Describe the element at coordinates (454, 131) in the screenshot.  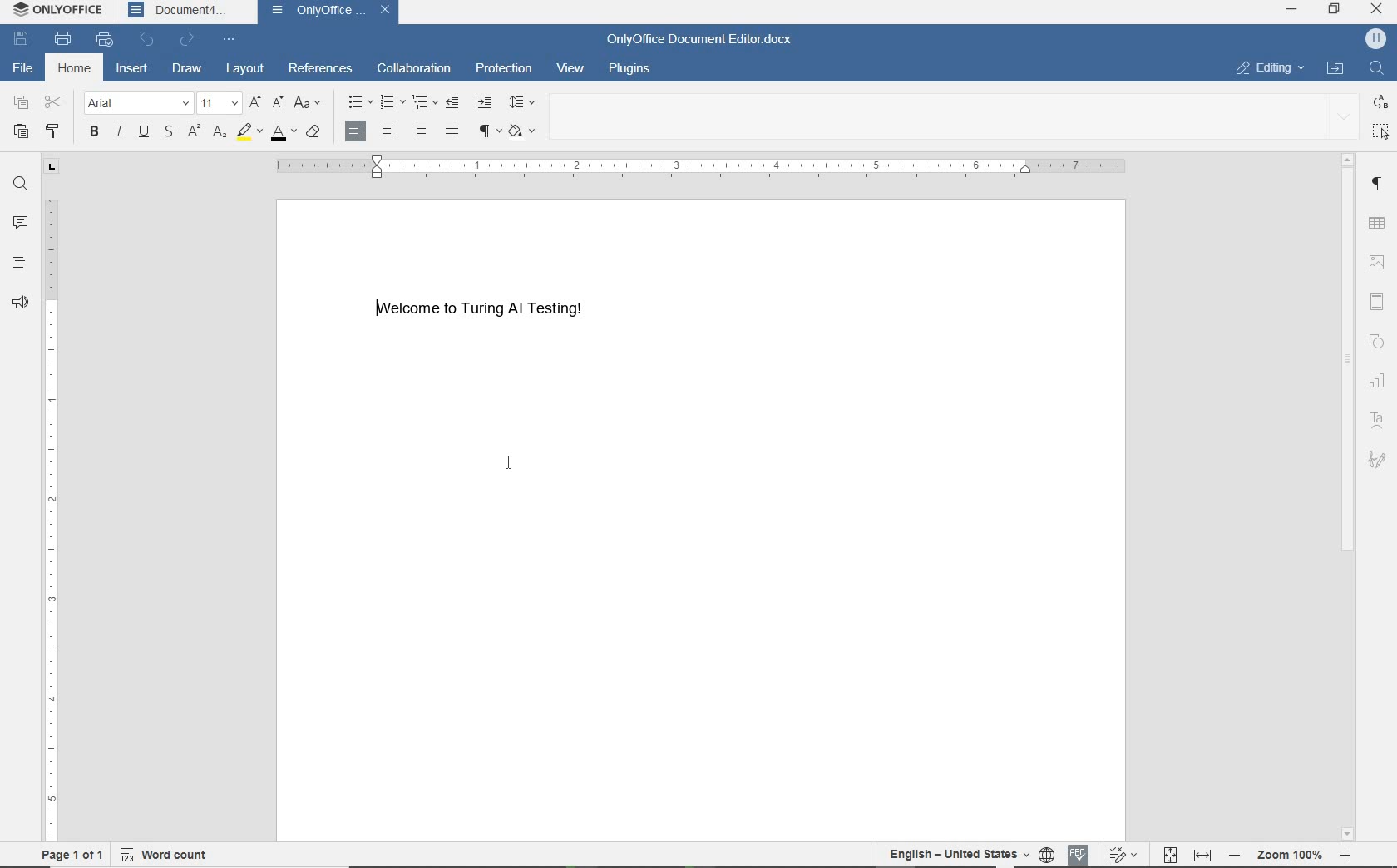
I see `justified` at that location.